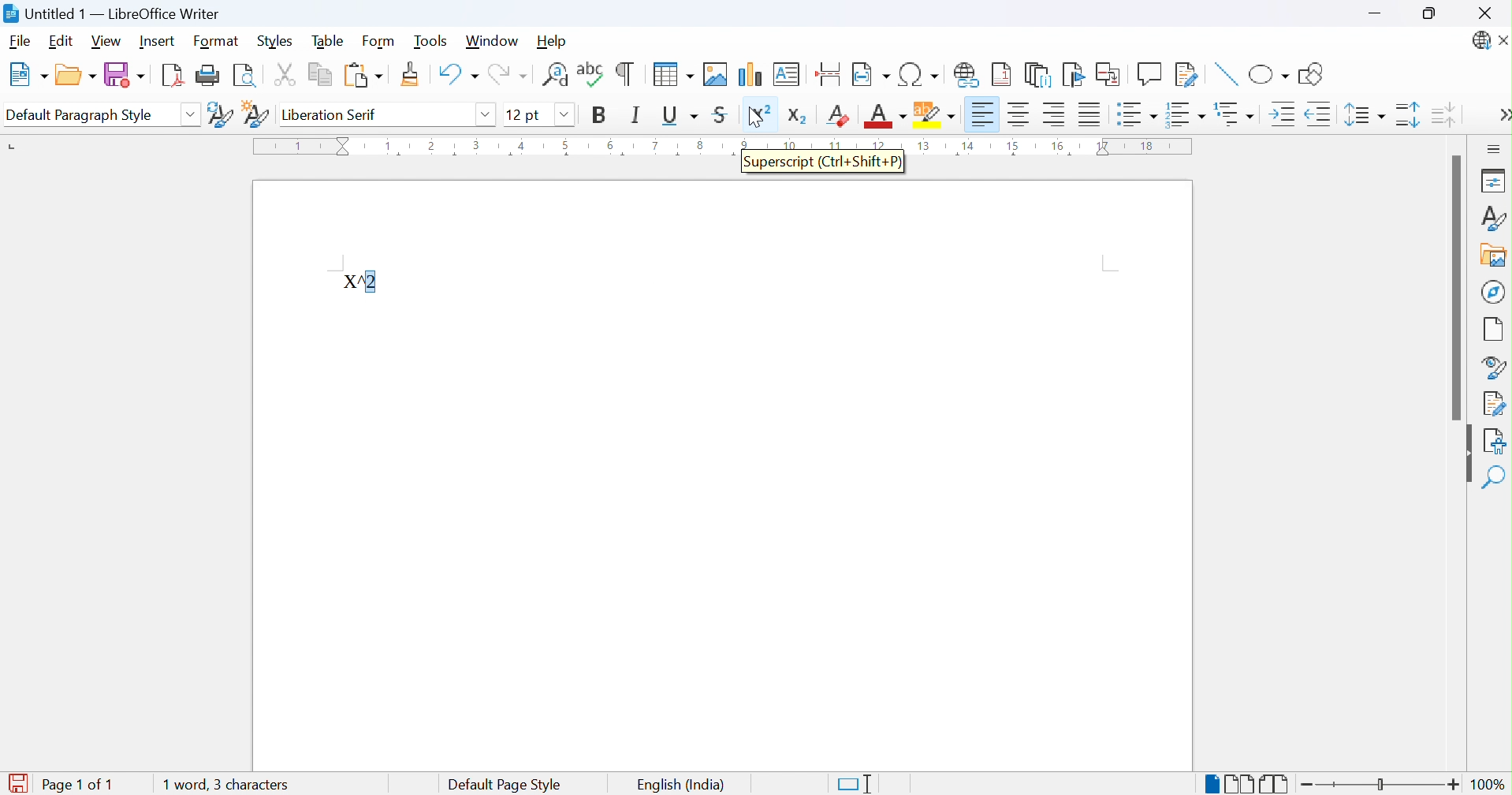 The height and width of the screenshot is (795, 1512). I want to click on Form, so click(381, 39).